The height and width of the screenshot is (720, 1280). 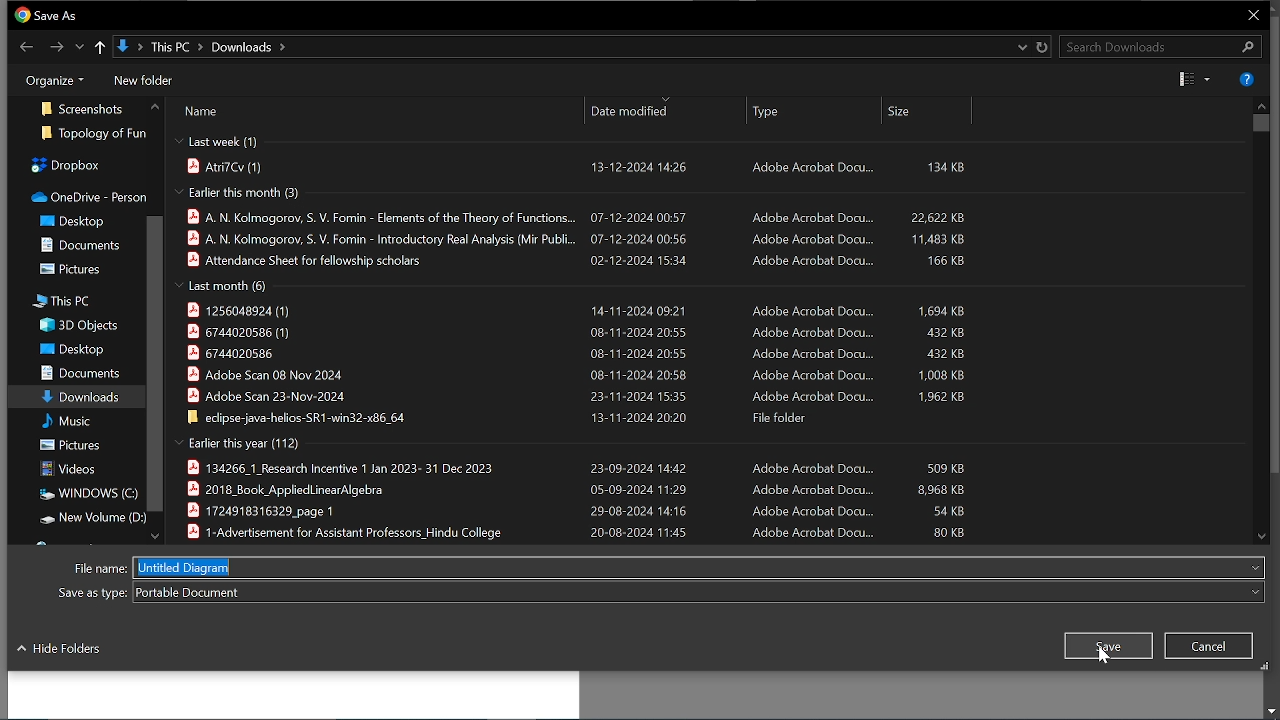 What do you see at coordinates (1253, 14) in the screenshot?
I see `CLose` at bounding box center [1253, 14].